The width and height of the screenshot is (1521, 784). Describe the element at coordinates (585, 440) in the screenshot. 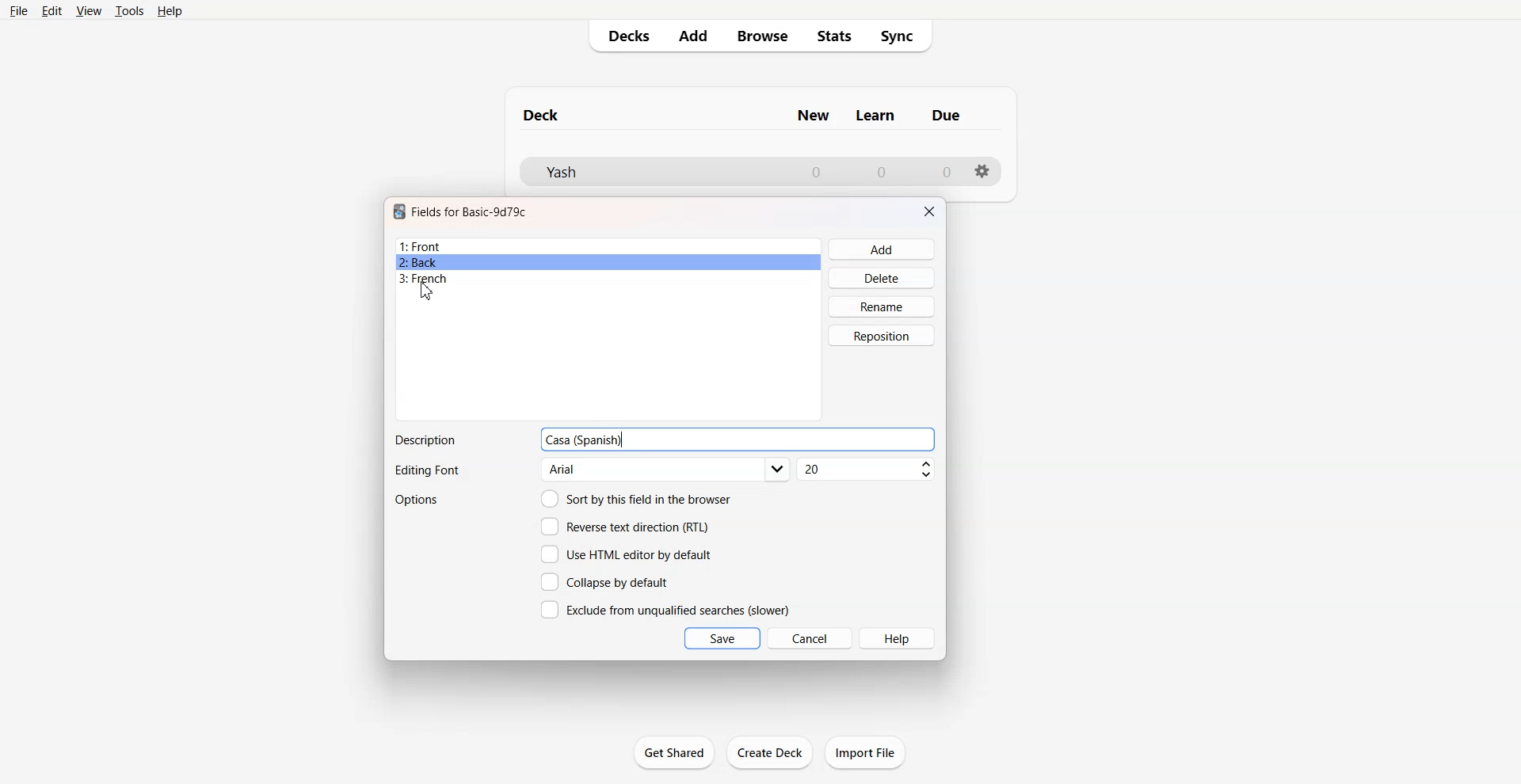

I see `Text` at that location.